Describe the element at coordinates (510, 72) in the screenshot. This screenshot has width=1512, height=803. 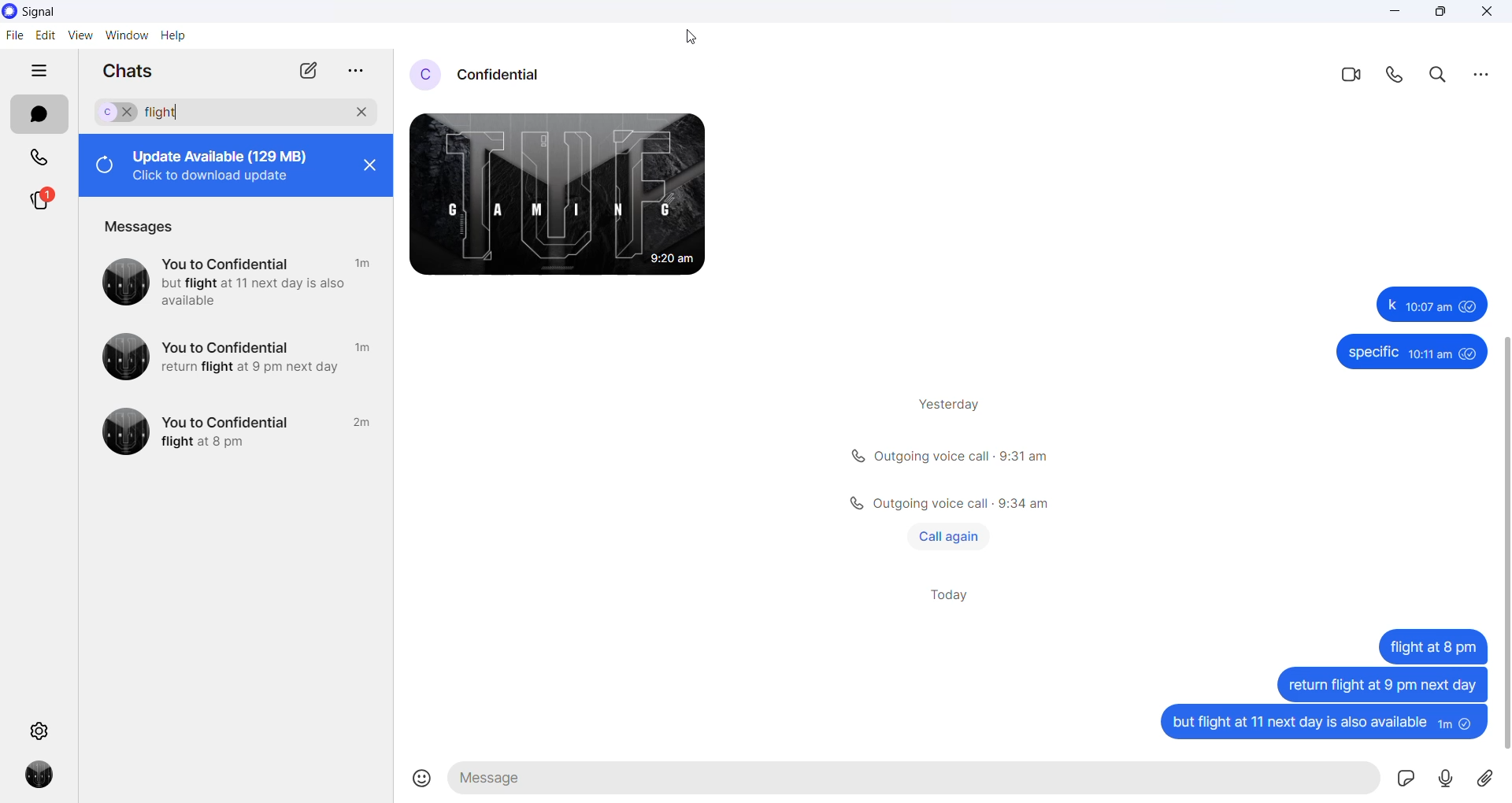
I see `contact name` at that location.